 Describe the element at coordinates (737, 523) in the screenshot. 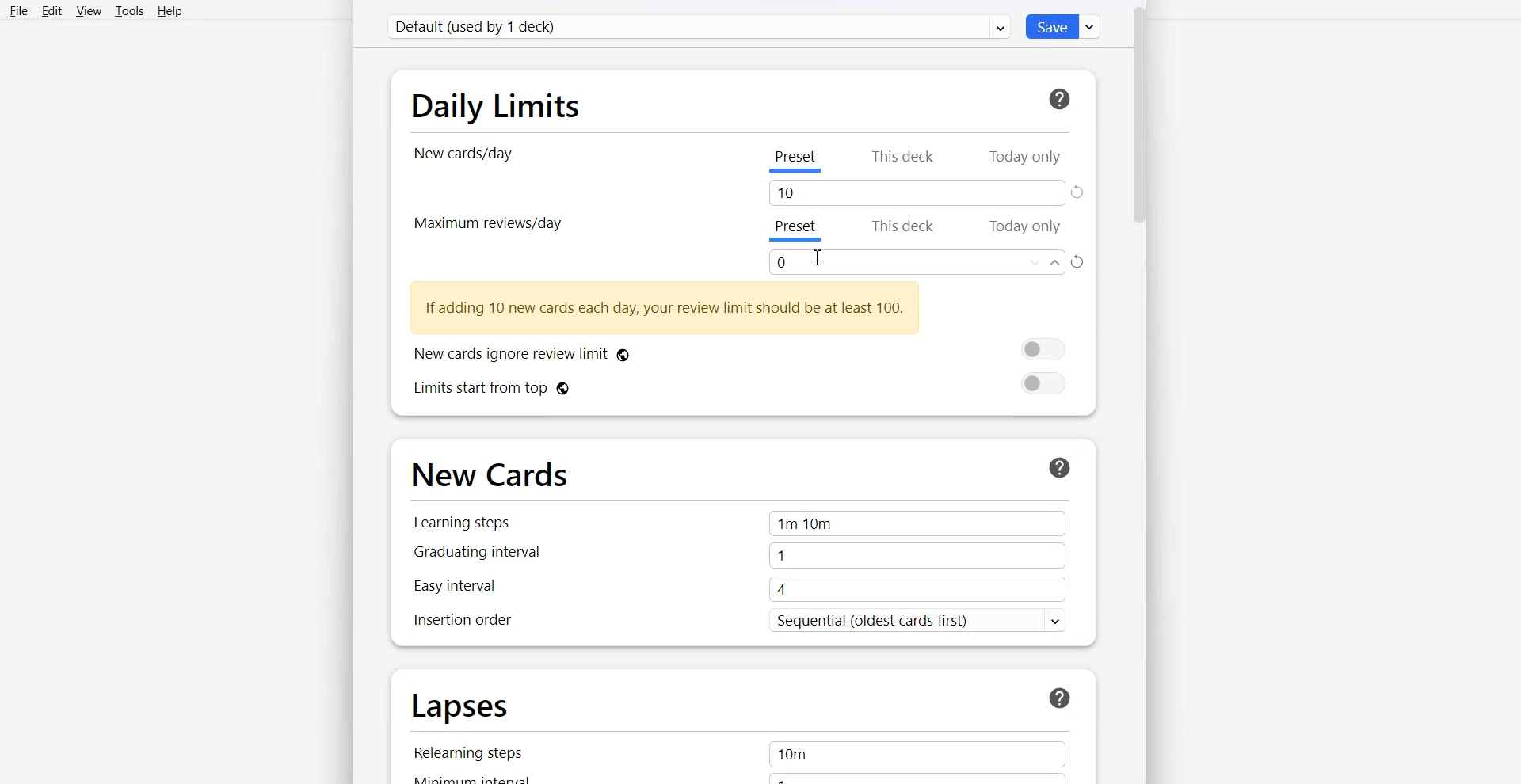

I see `Learning steps` at that location.